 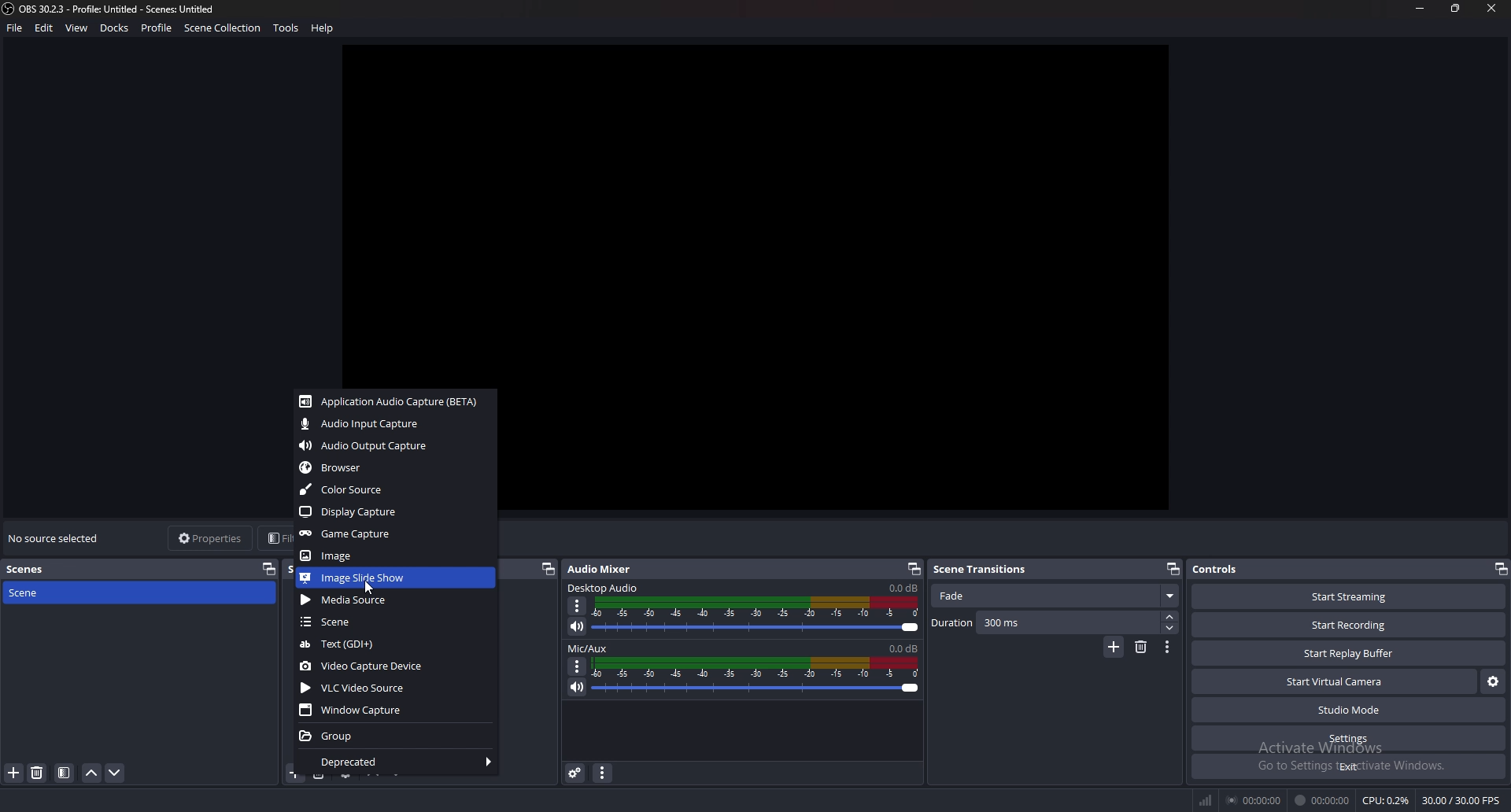 What do you see at coordinates (15, 28) in the screenshot?
I see `file` at bounding box center [15, 28].